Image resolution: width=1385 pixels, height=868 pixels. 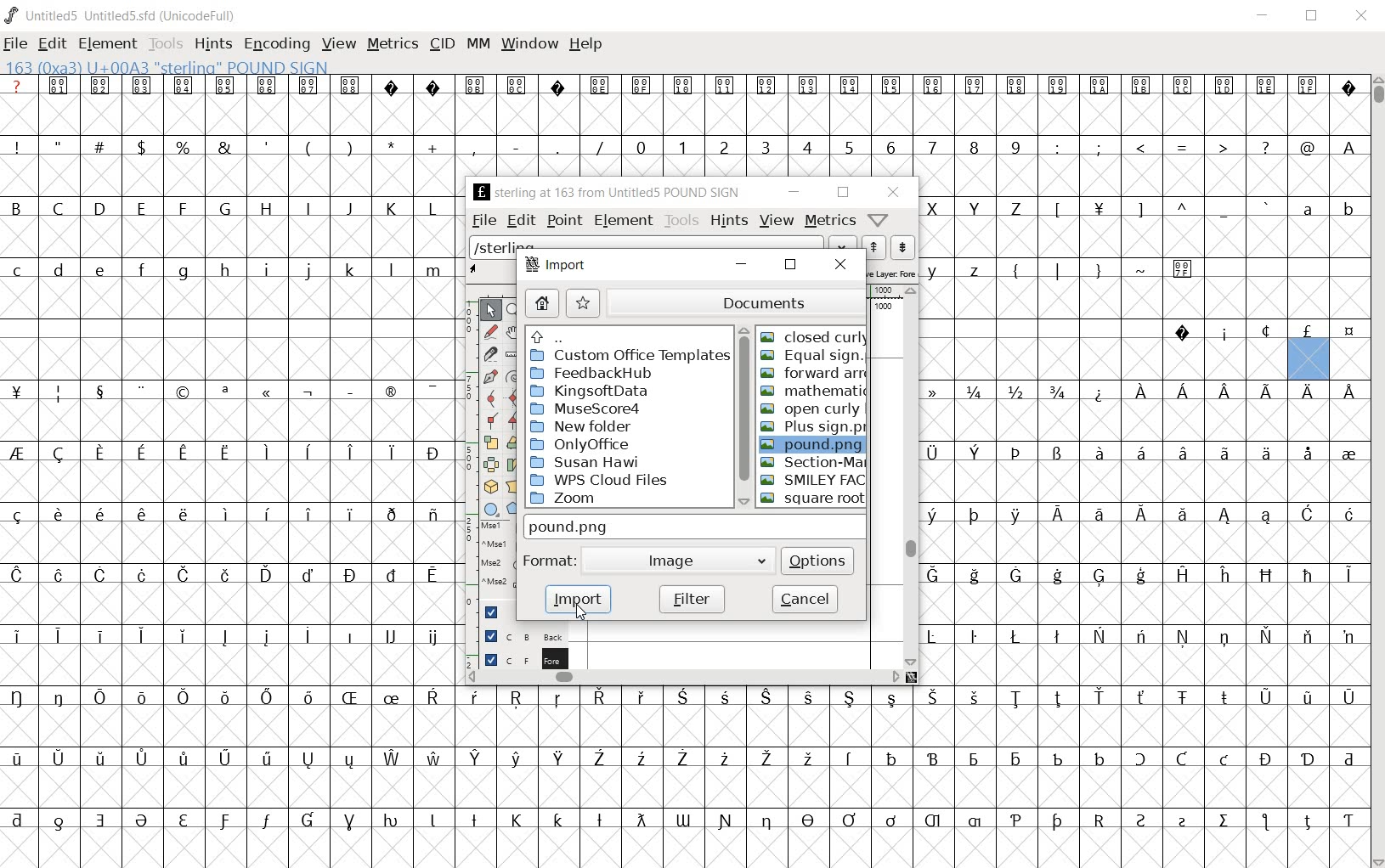 I want to click on Symbol, so click(x=1183, y=395).